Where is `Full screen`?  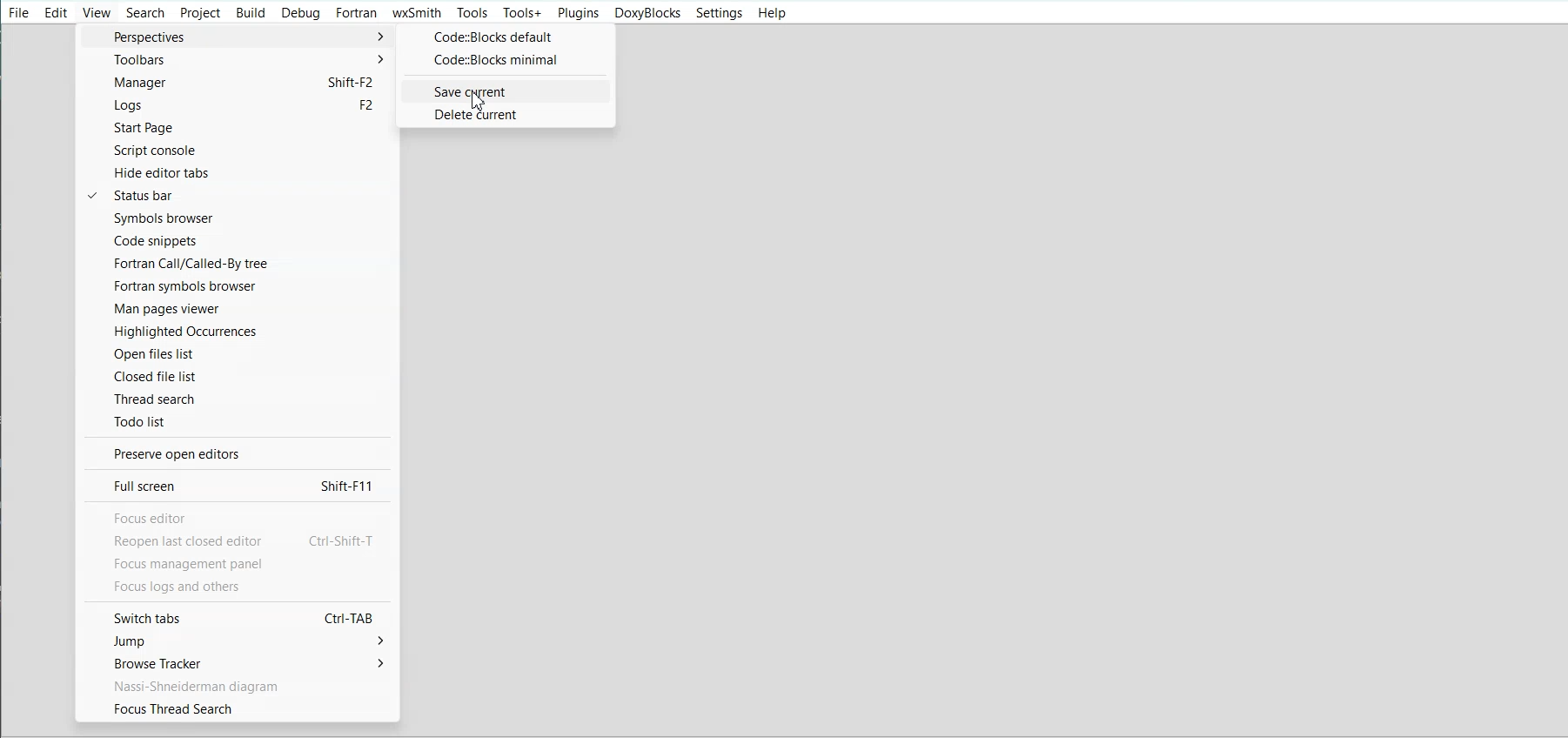 Full screen is located at coordinates (236, 486).